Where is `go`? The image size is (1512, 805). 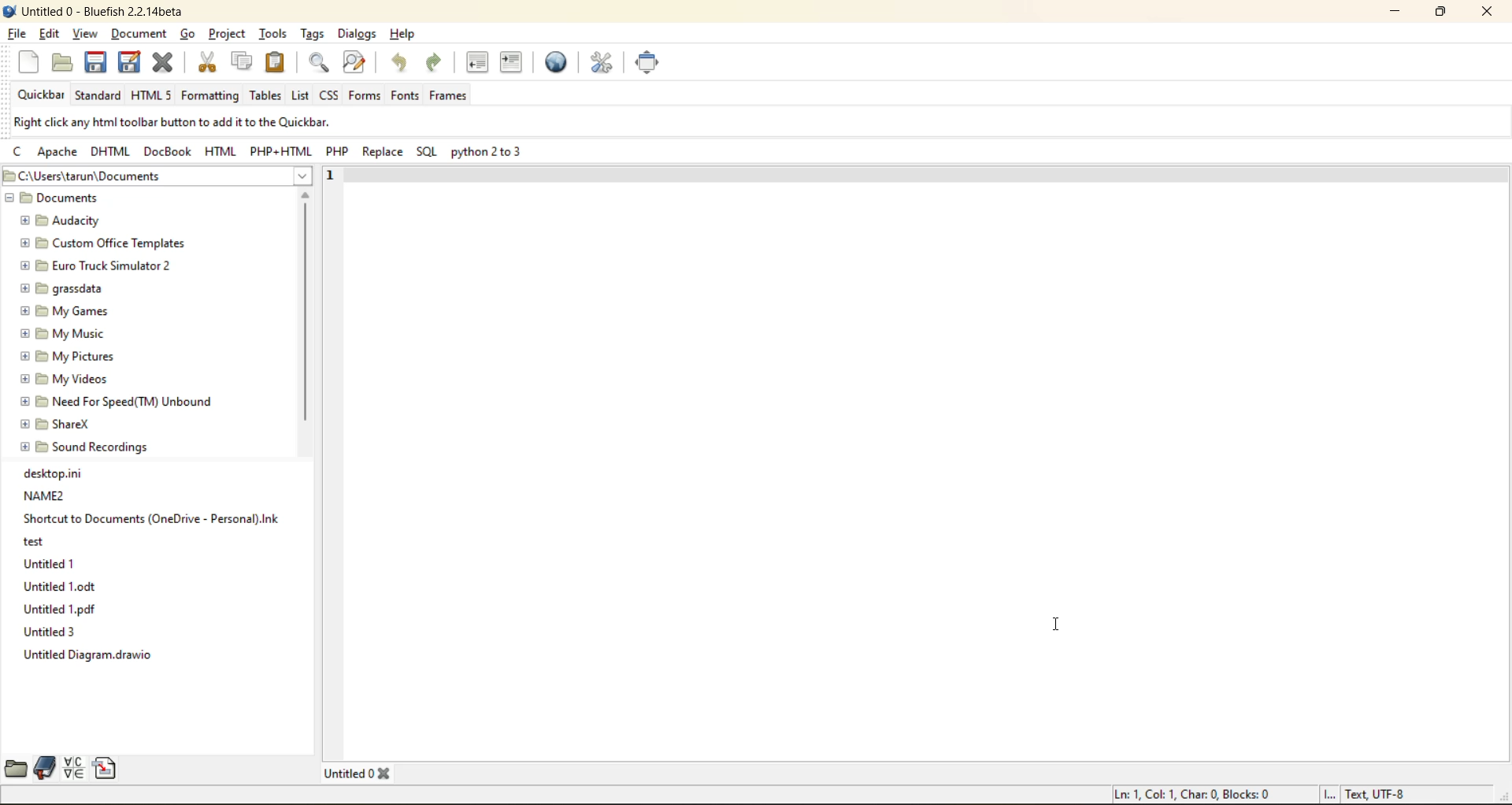 go is located at coordinates (193, 36).